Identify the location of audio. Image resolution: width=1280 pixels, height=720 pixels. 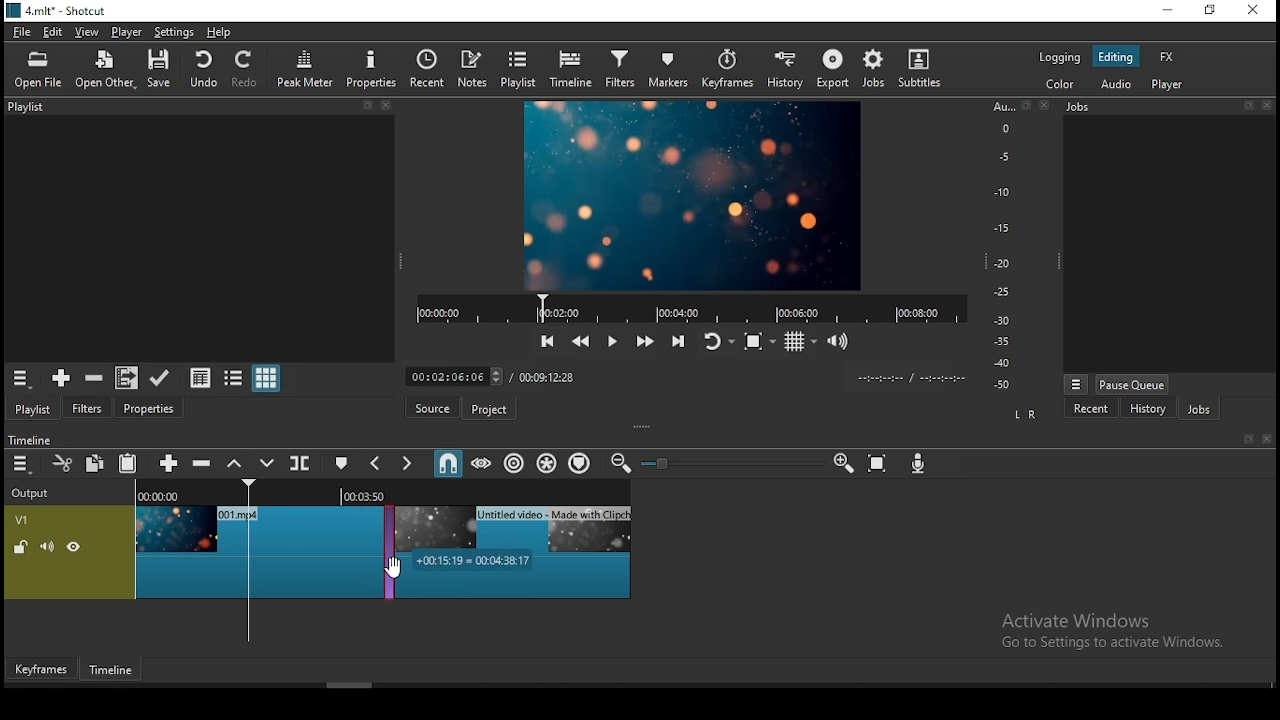
(1120, 84).